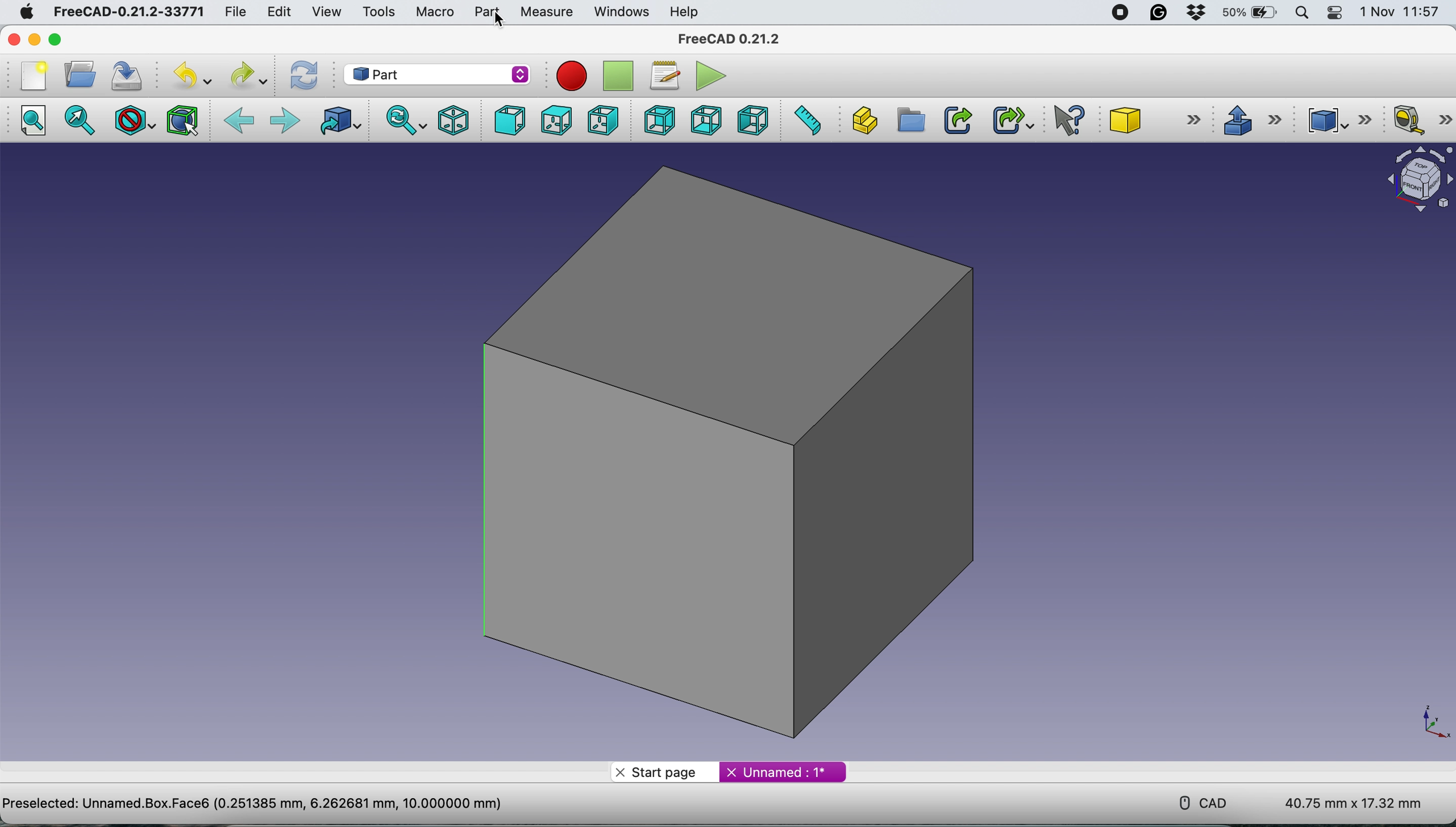 Image resolution: width=1456 pixels, height=827 pixels. Describe the element at coordinates (730, 450) in the screenshot. I see `box` at that location.